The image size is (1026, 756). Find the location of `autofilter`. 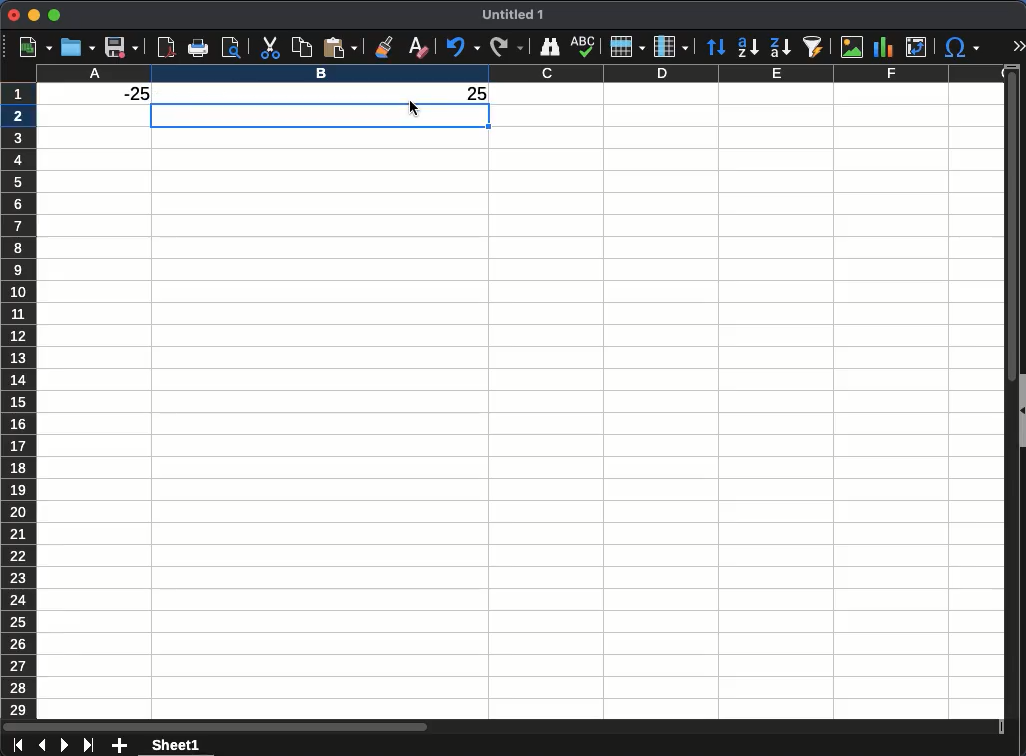

autofilter is located at coordinates (816, 47).